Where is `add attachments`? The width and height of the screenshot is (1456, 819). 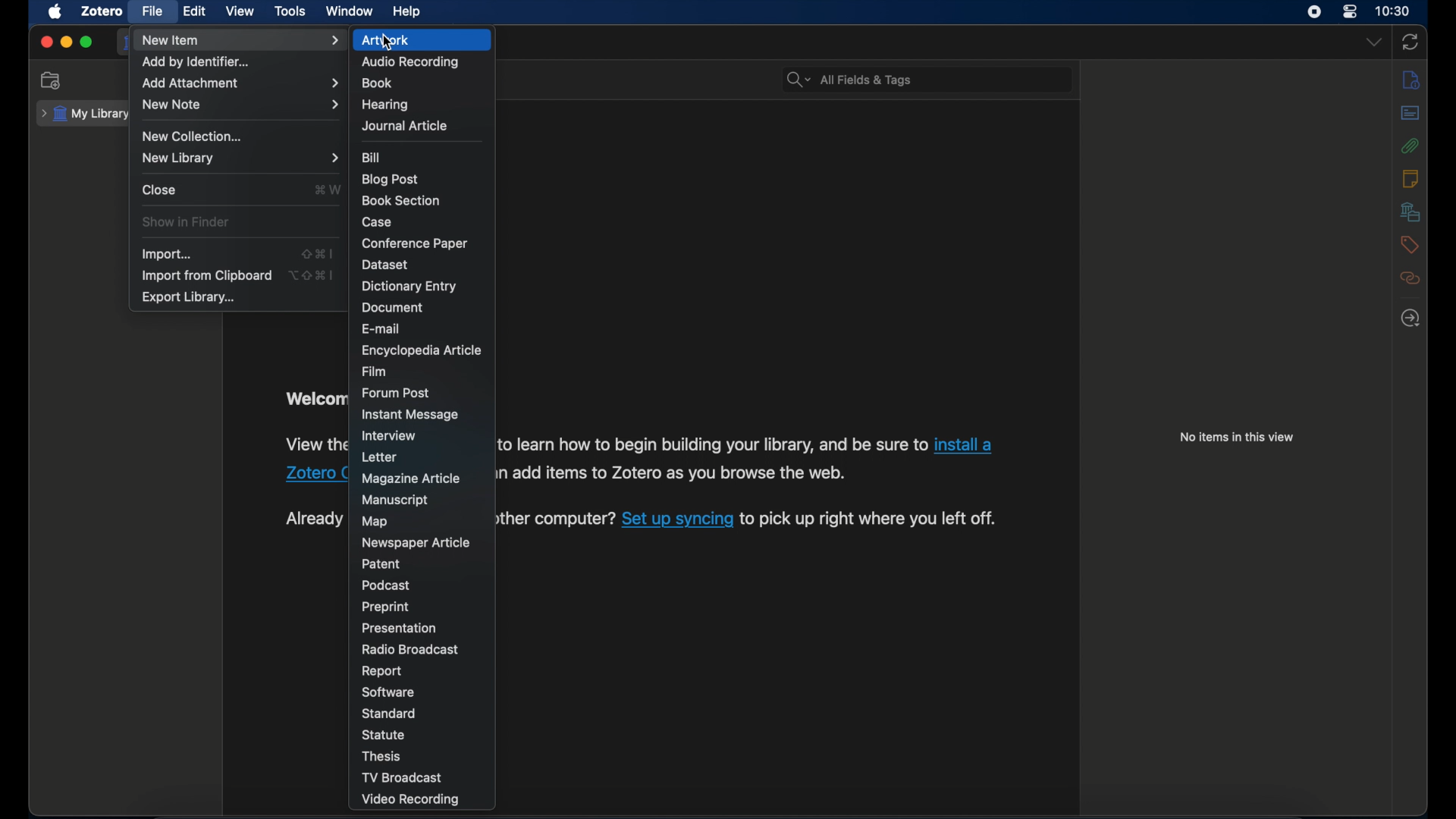
add attachments is located at coordinates (240, 83).